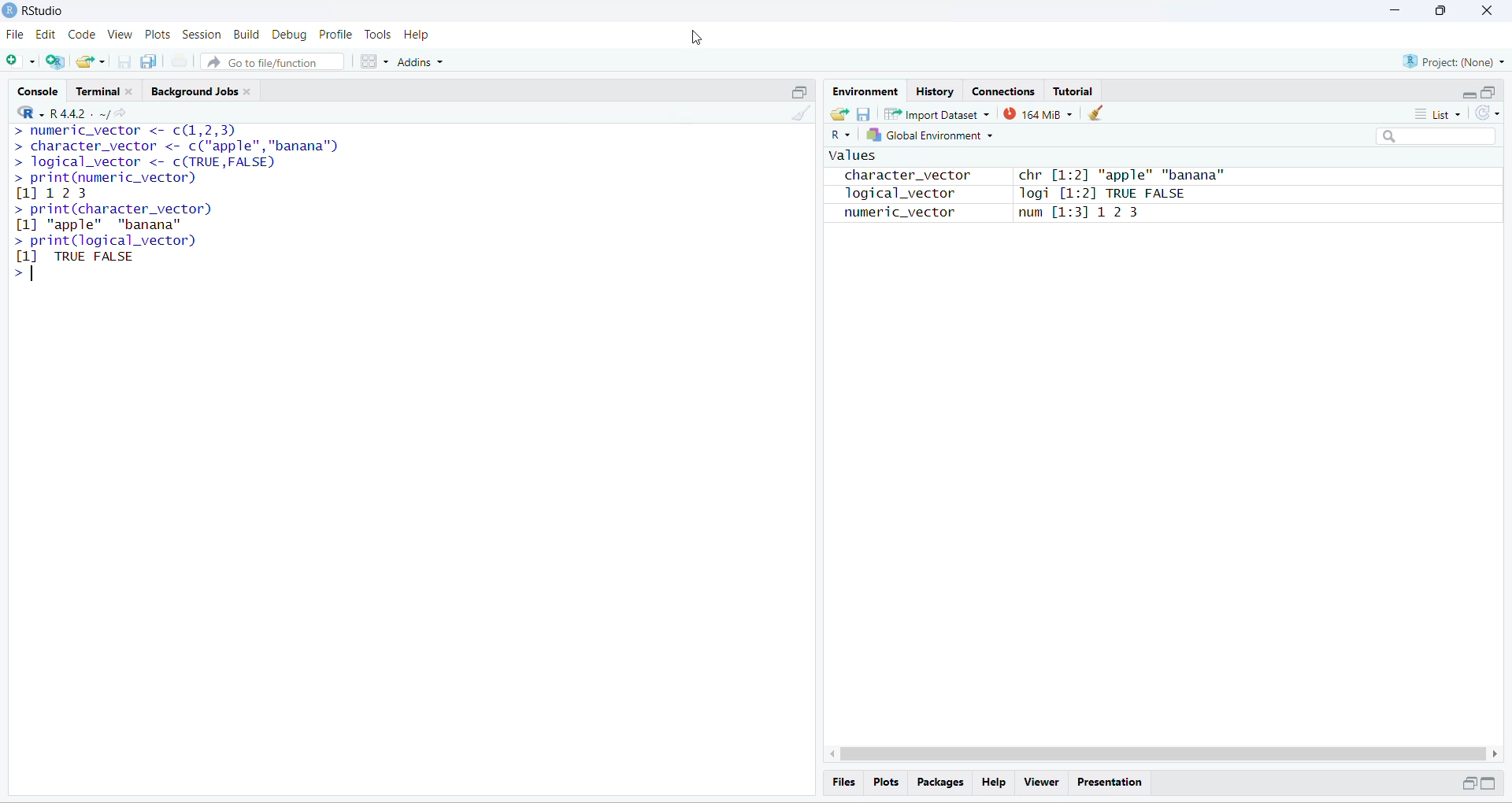  What do you see at coordinates (335, 35) in the screenshot?
I see `Profile` at bounding box center [335, 35].